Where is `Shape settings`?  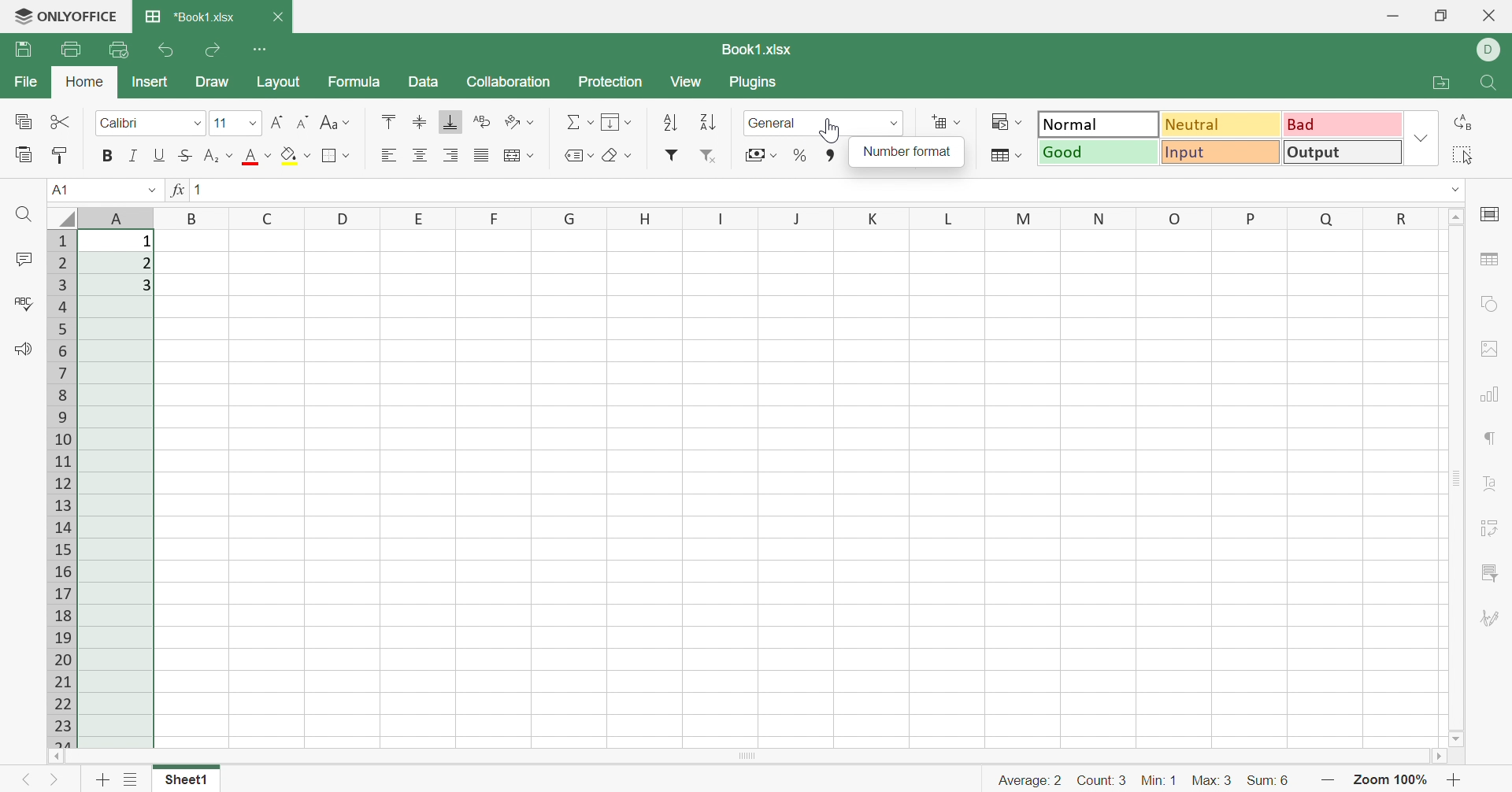 Shape settings is located at coordinates (1489, 305).